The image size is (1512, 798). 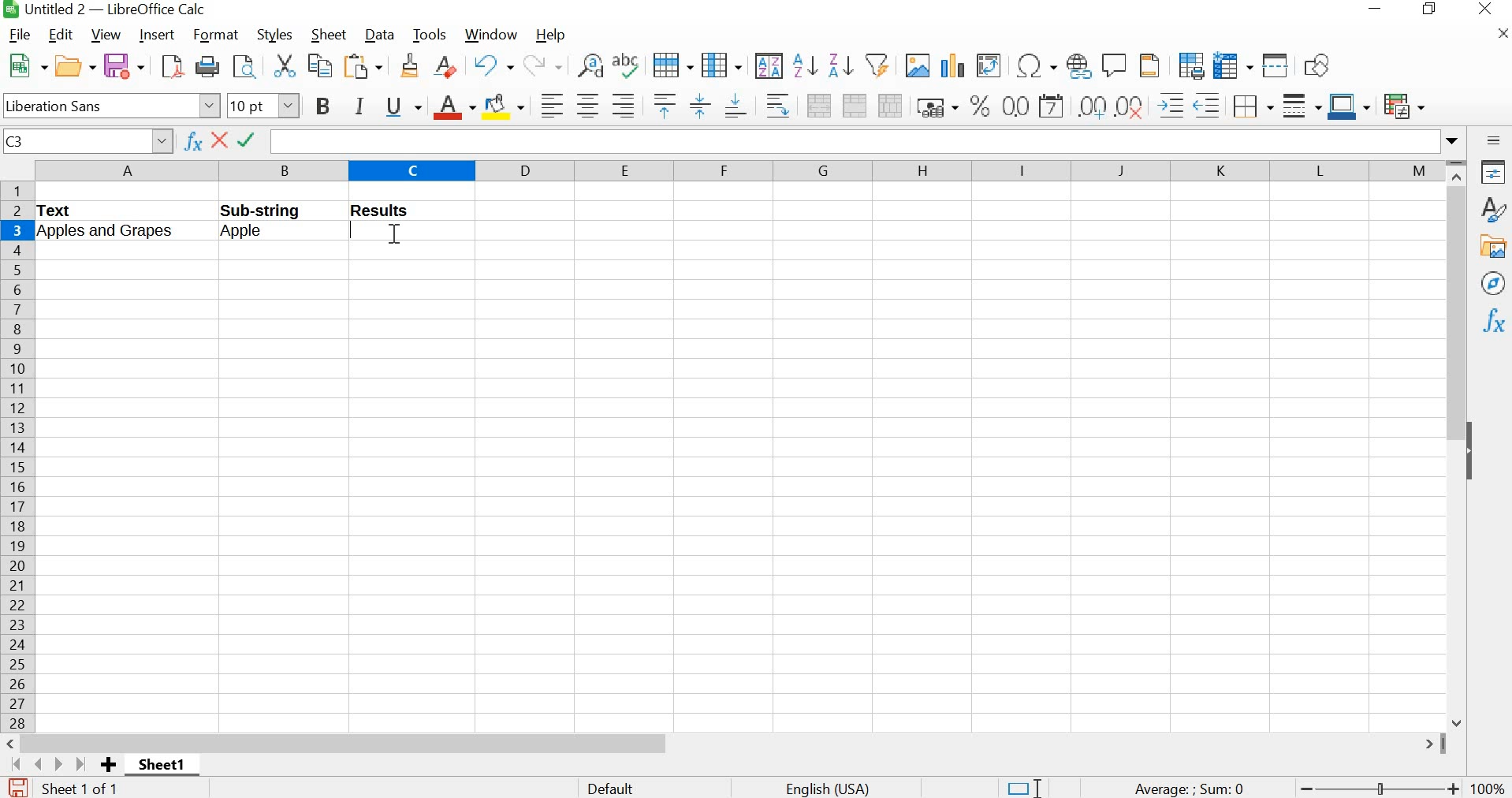 I want to click on italic, so click(x=358, y=105).